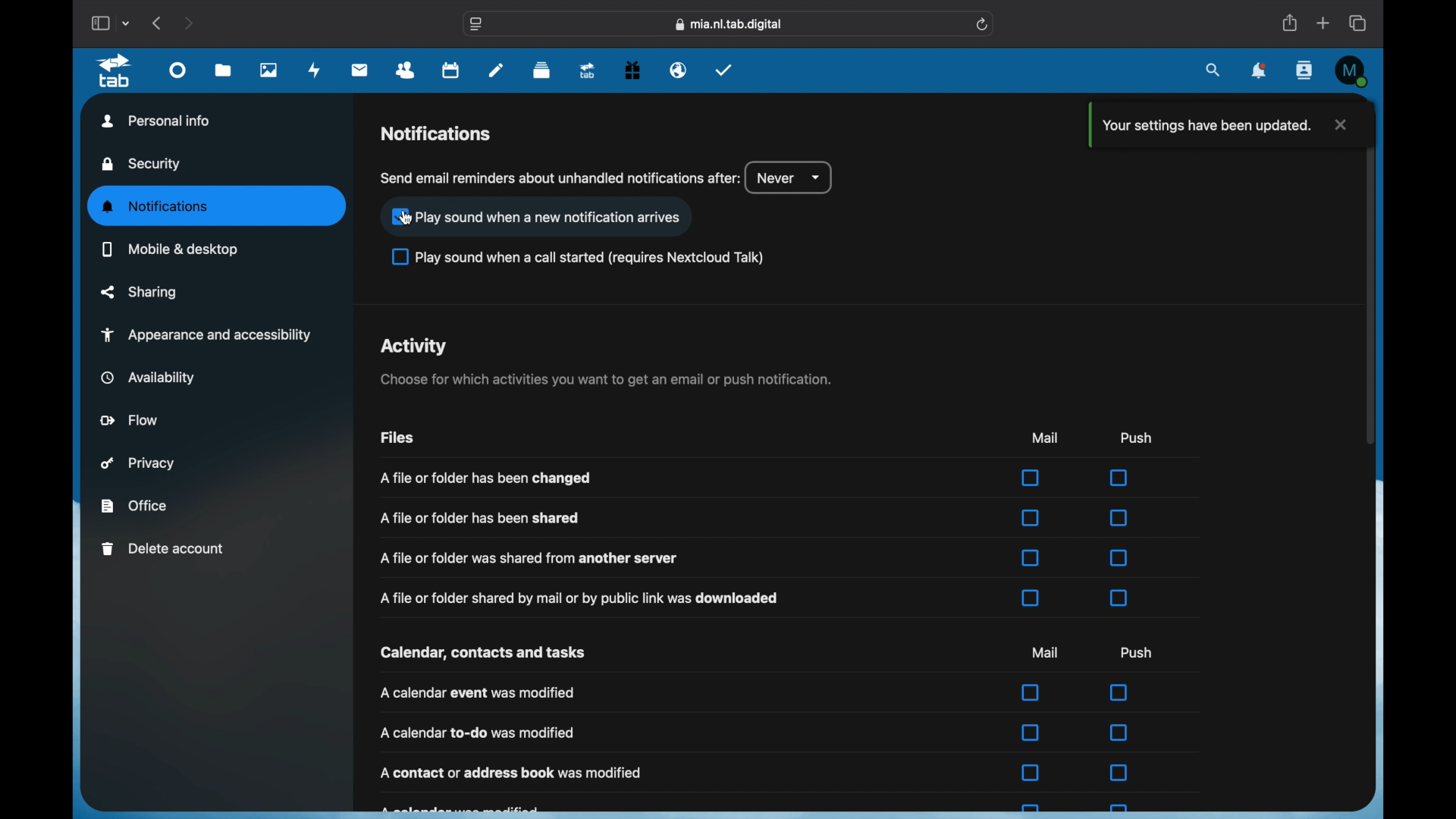  What do you see at coordinates (1119, 557) in the screenshot?
I see `checkbox` at bounding box center [1119, 557].